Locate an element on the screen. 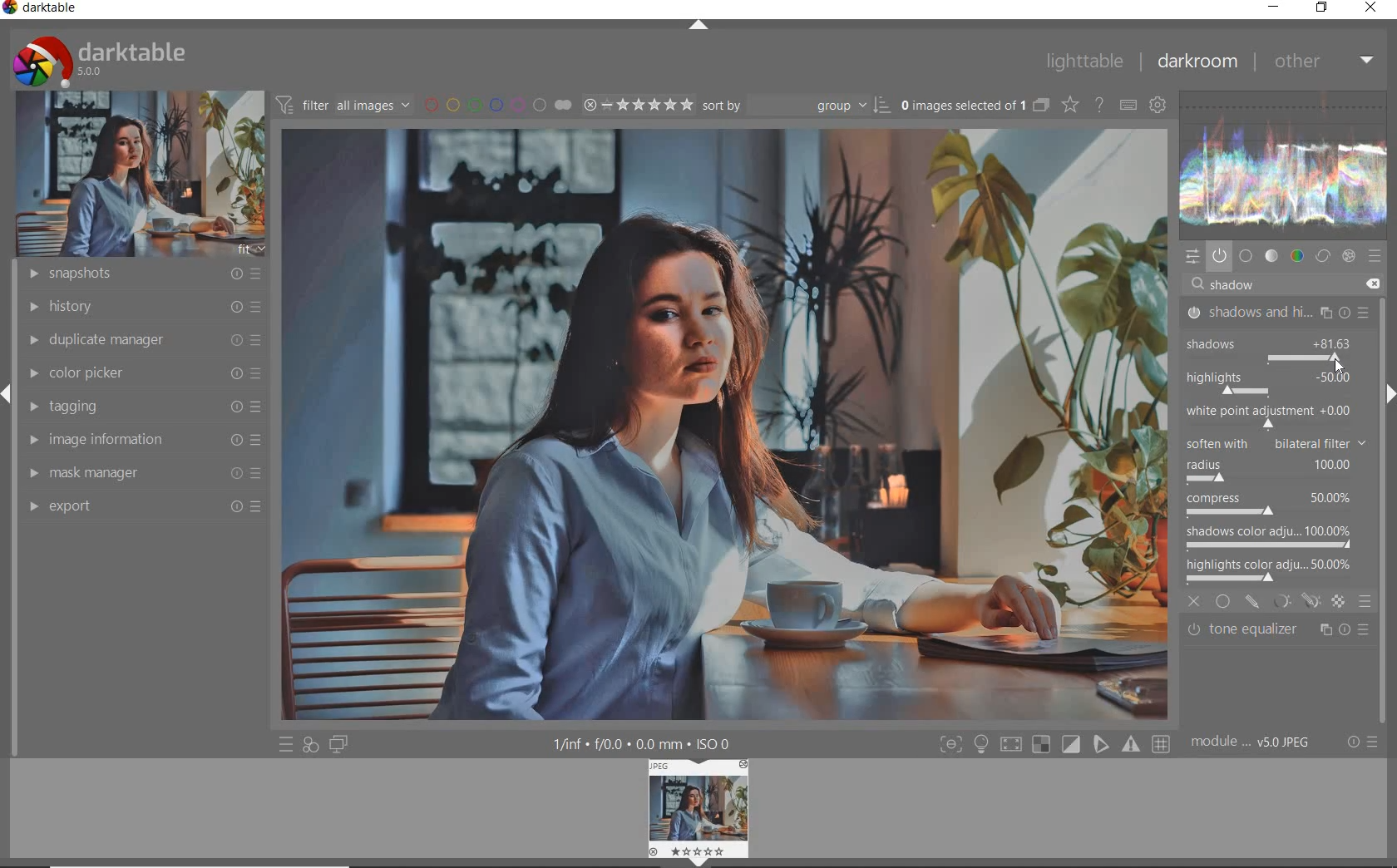 This screenshot has height=868, width=1397. color is located at coordinates (1296, 256).